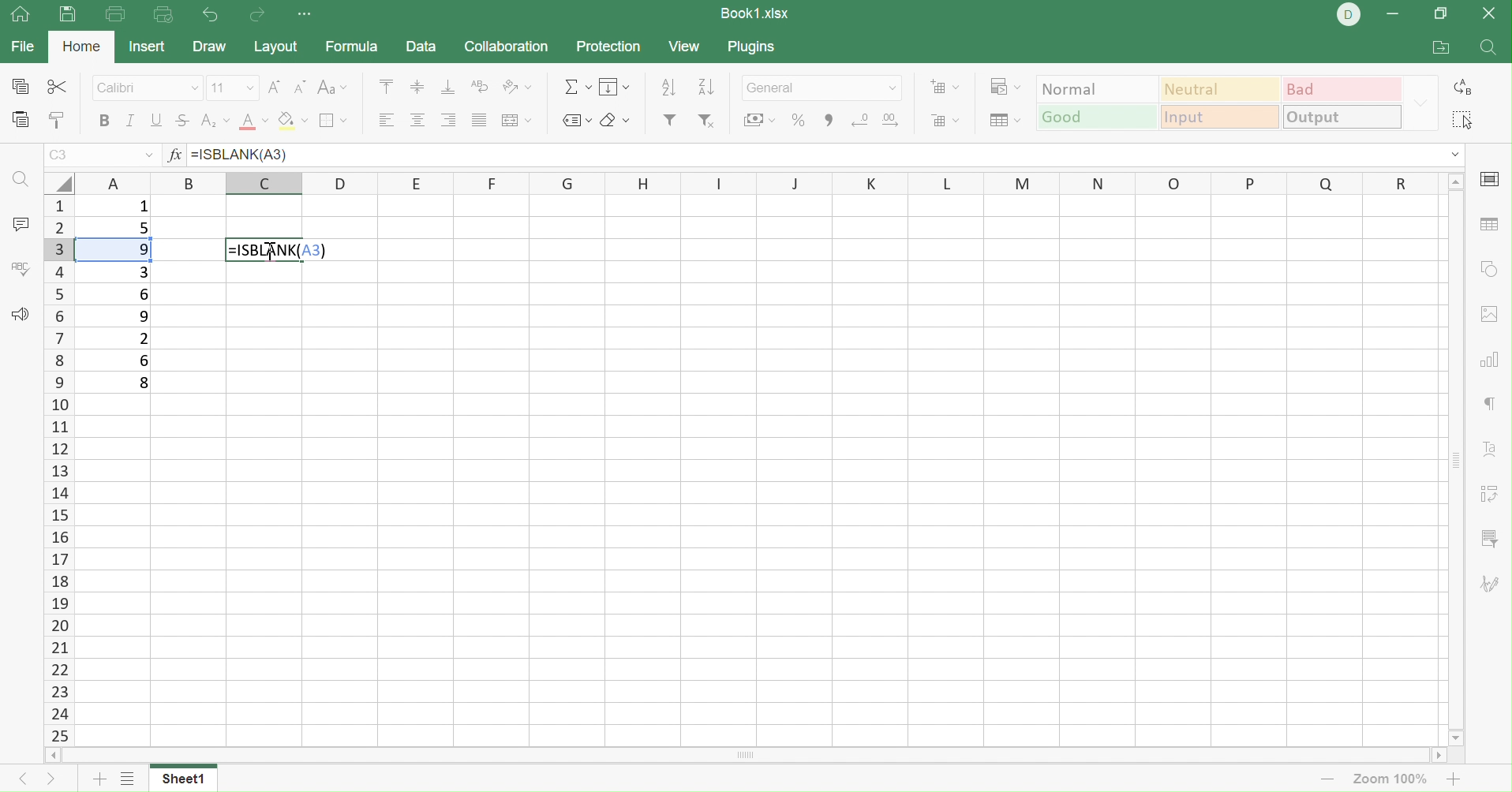 This screenshot has width=1512, height=792. I want to click on Save, so click(68, 17).